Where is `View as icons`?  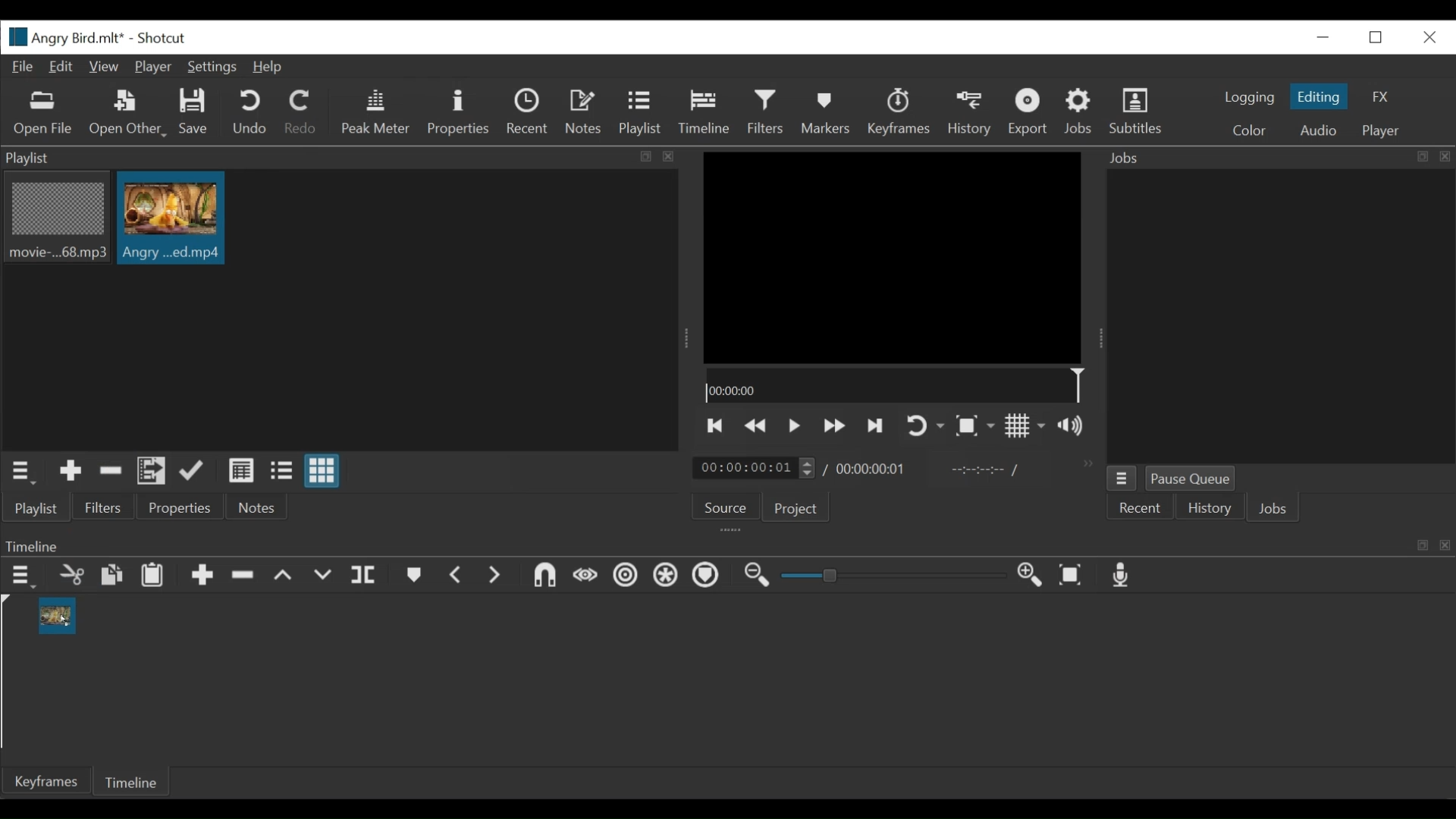
View as icons is located at coordinates (322, 471).